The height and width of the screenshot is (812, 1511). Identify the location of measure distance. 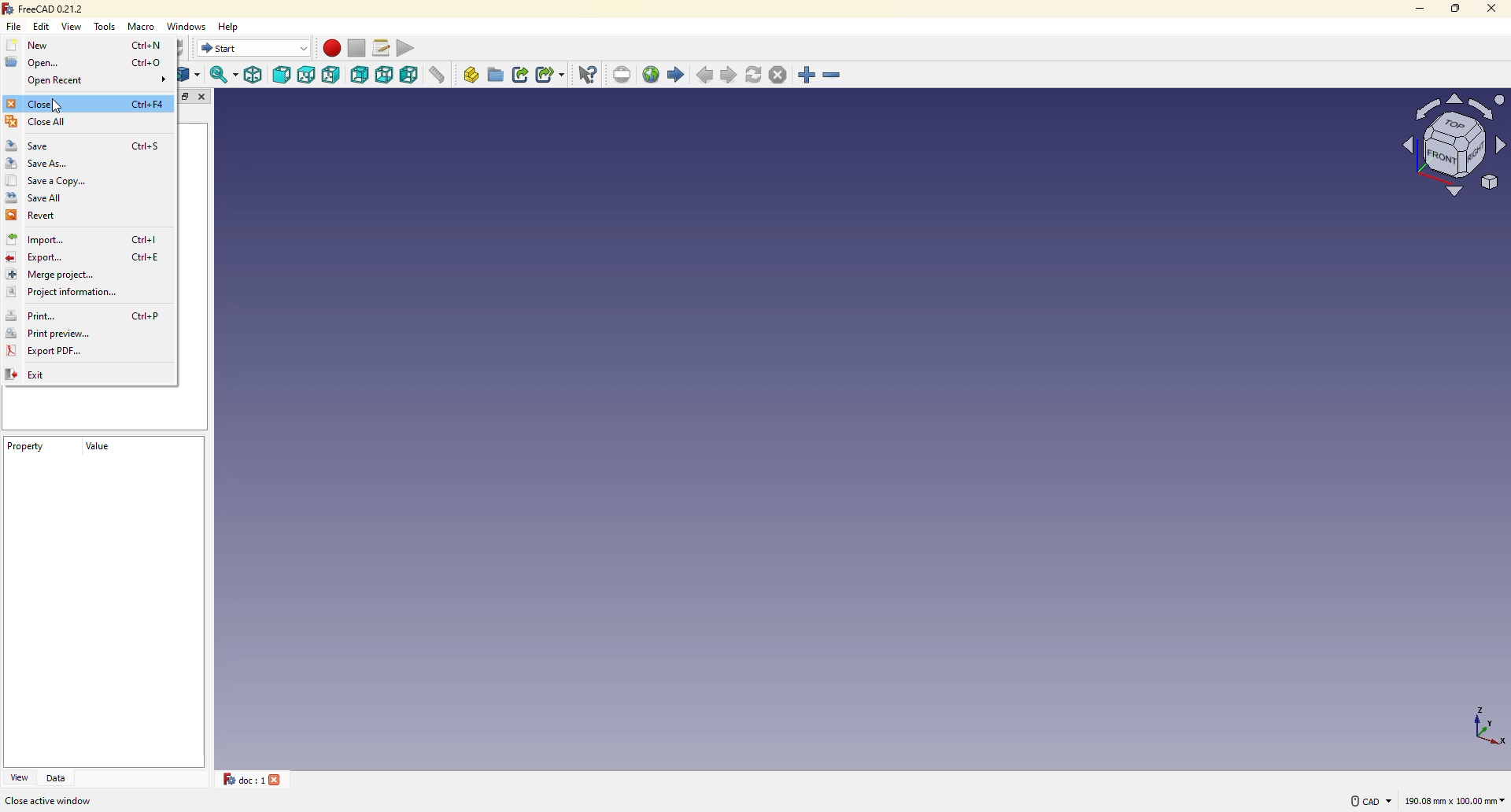
(441, 76).